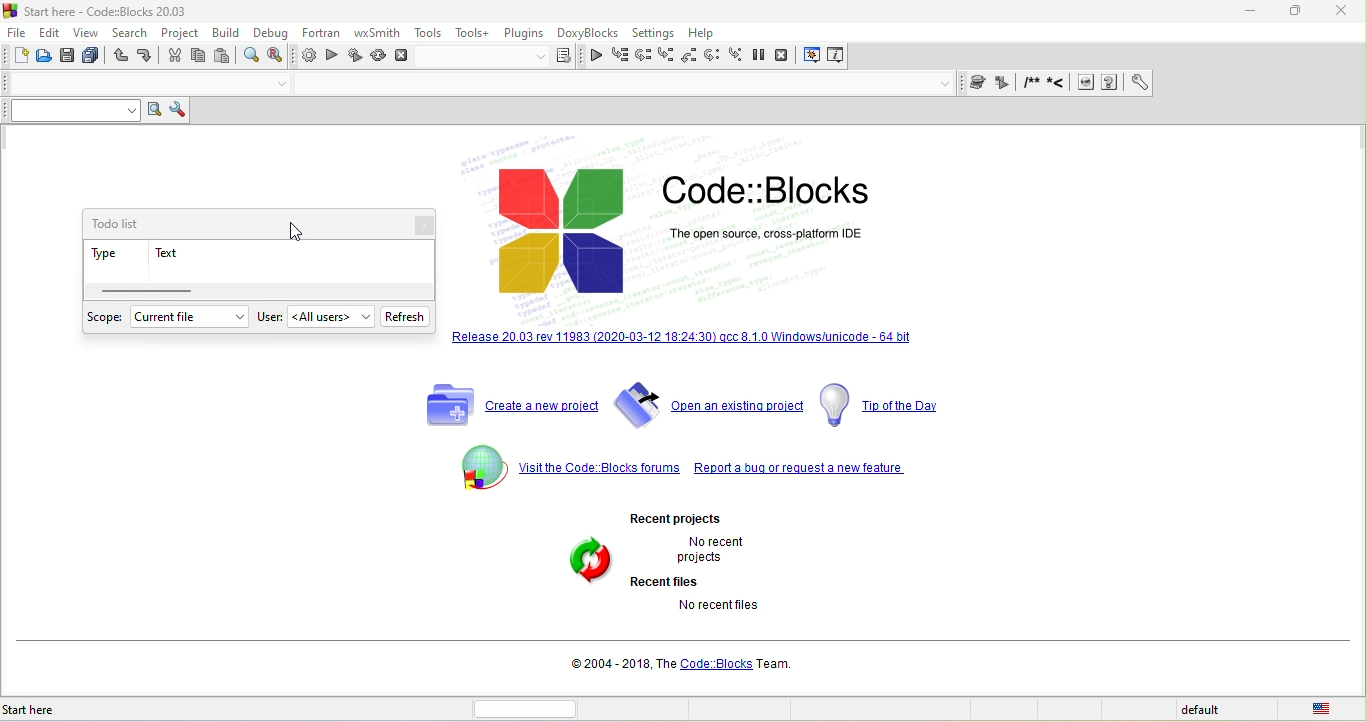 Image resolution: width=1366 pixels, height=722 pixels. What do you see at coordinates (523, 34) in the screenshot?
I see `plugins` at bounding box center [523, 34].